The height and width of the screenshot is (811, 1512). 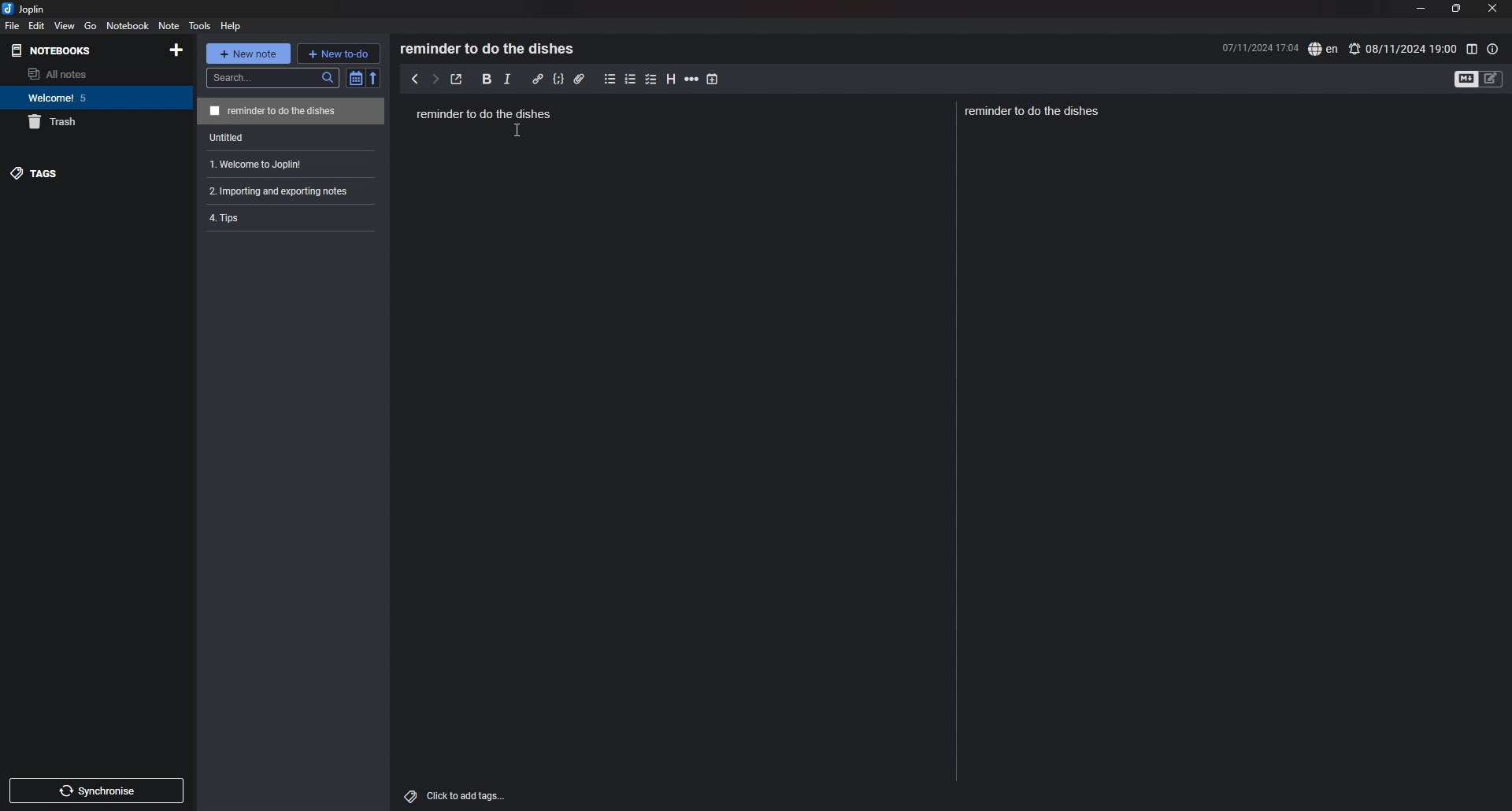 What do you see at coordinates (1411, 49) in the screenshot?
I see `alarm time` at bounding box center [1411, 49].